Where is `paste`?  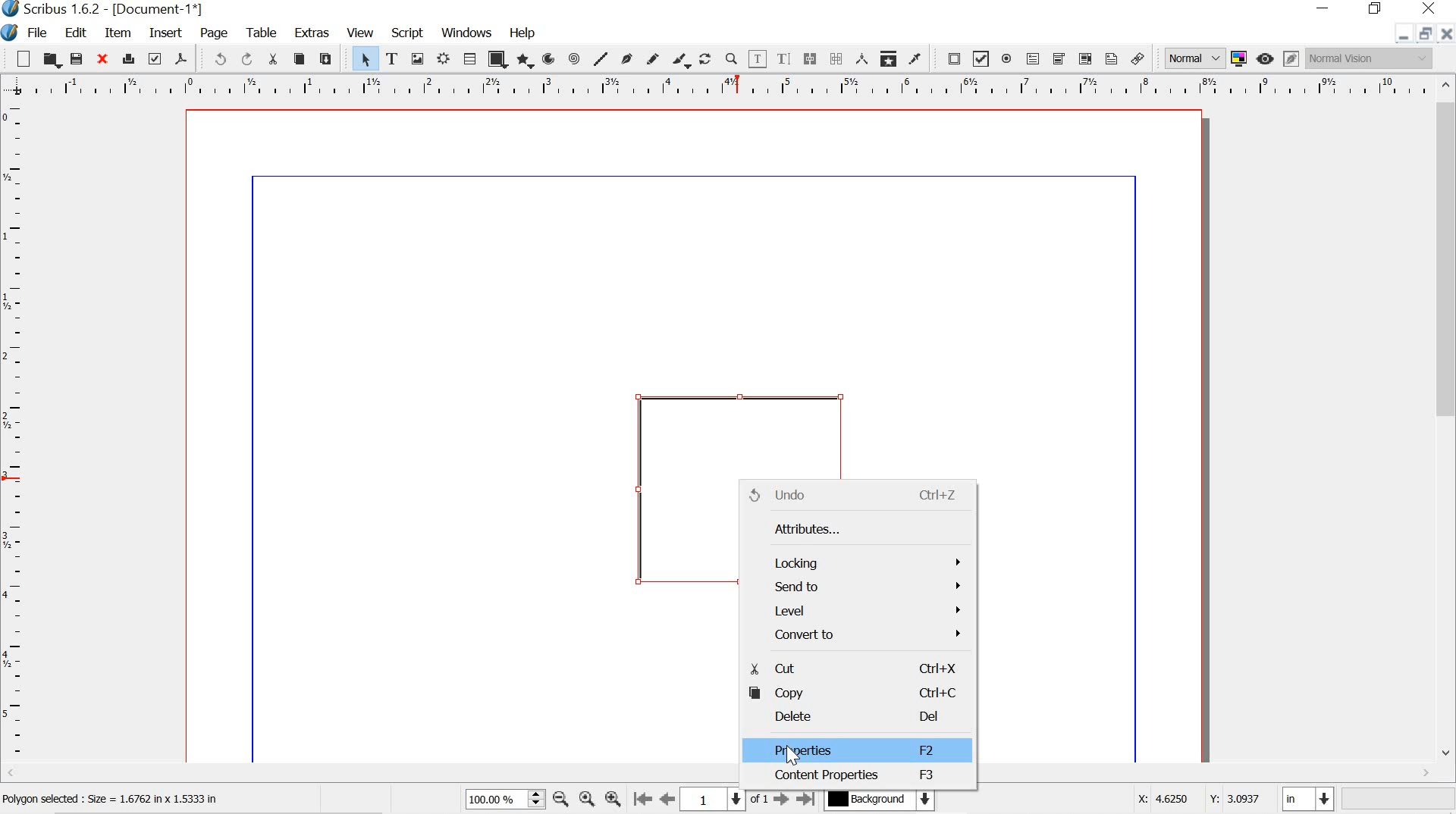
paste is located at coordinates (328, 57).